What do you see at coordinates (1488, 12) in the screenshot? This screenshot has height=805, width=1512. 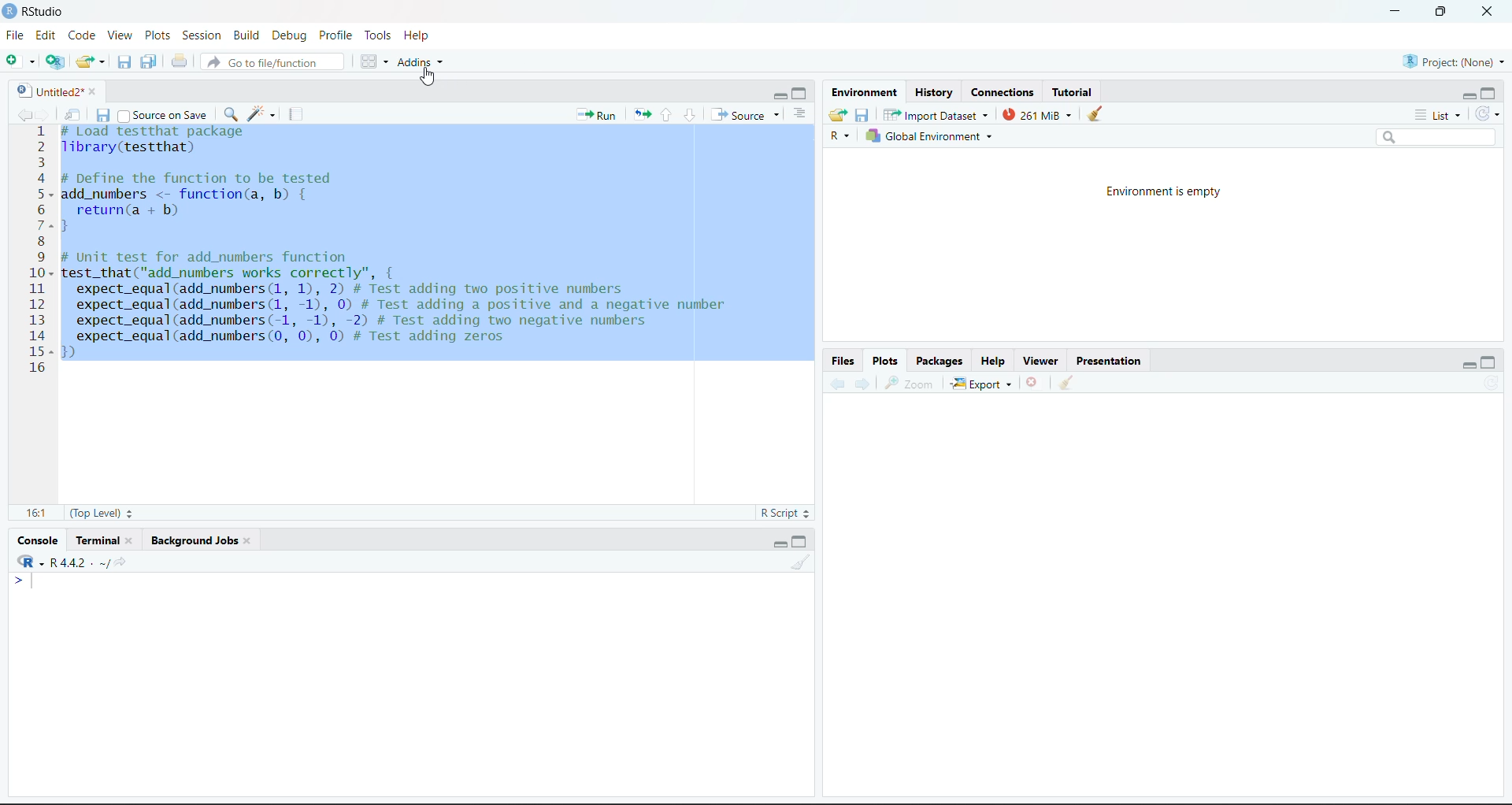 I see `close` at bounding box center [1488, 12].